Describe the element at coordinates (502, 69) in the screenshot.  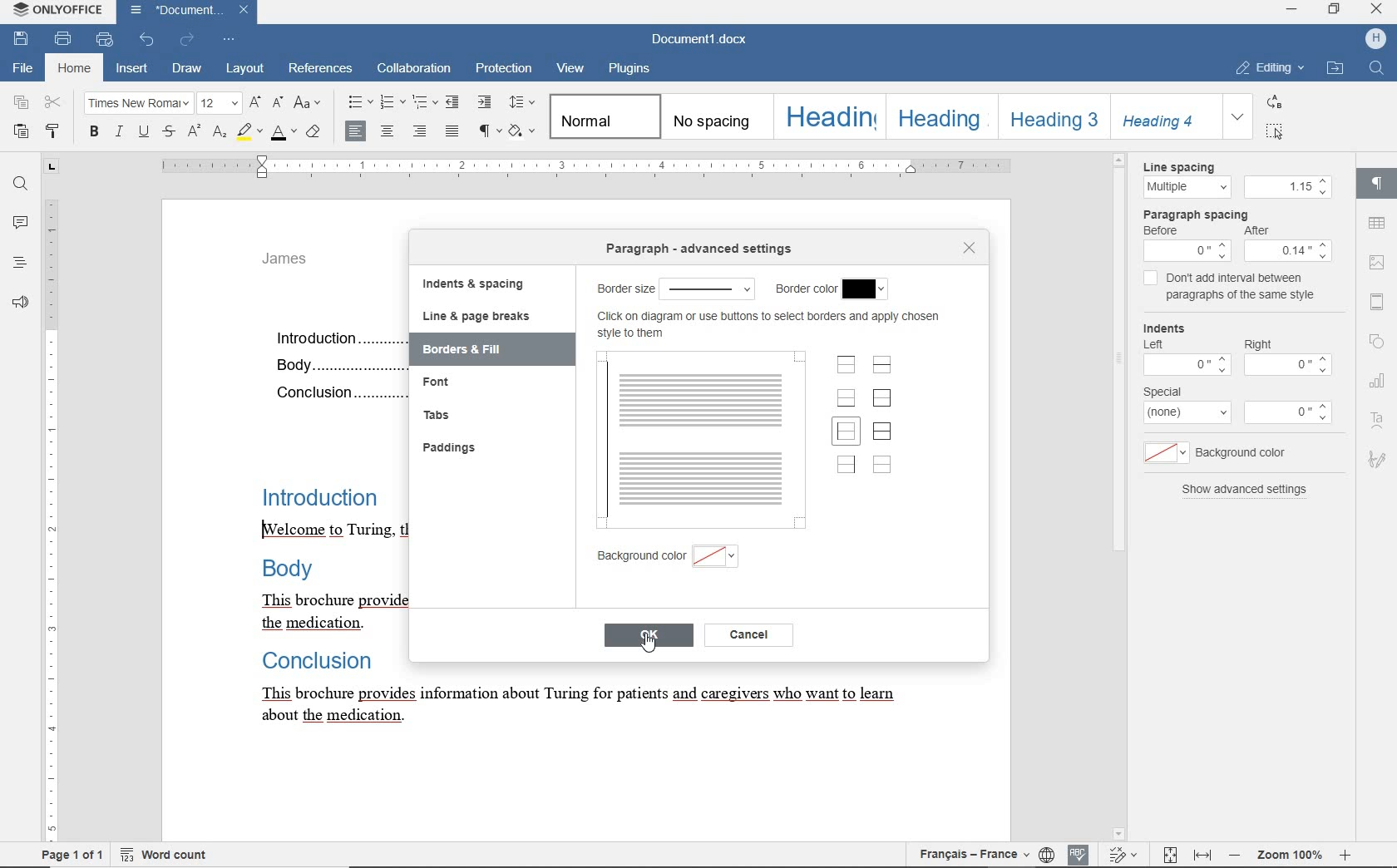
I see `protection` at that location.